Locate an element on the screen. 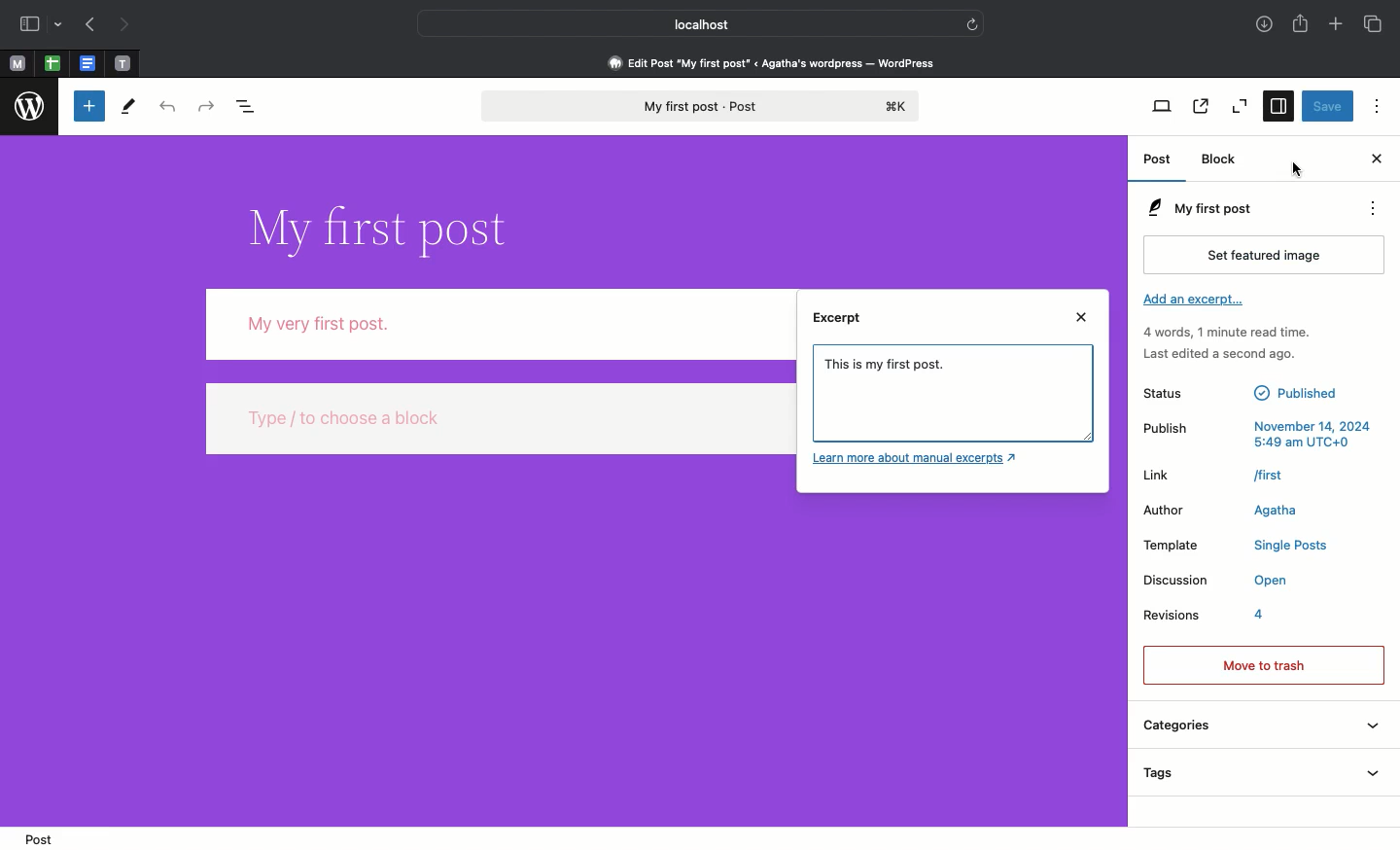 The image size is (1400, 850). M tabs is located at coordinates (15, 62).